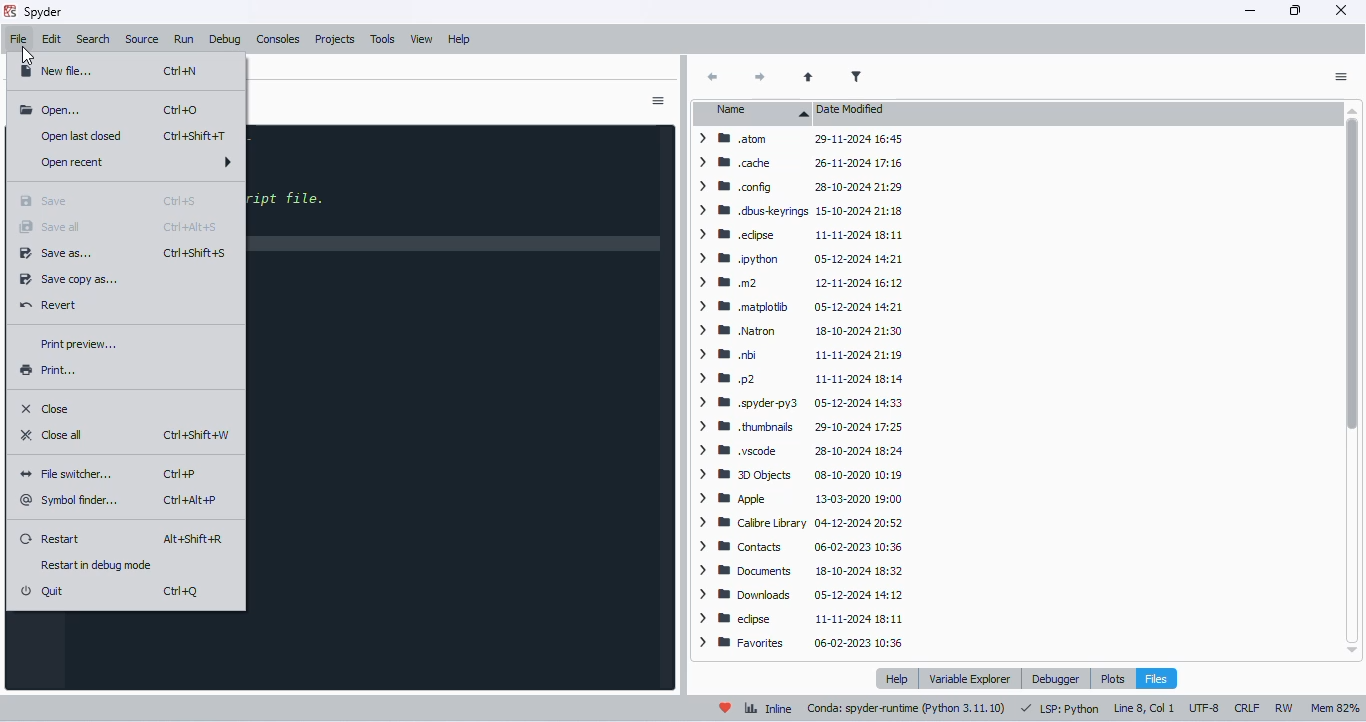  What do you see at coordinates (47, 370) in the screenshot?
I see `print` at bounding box center [47, 370].